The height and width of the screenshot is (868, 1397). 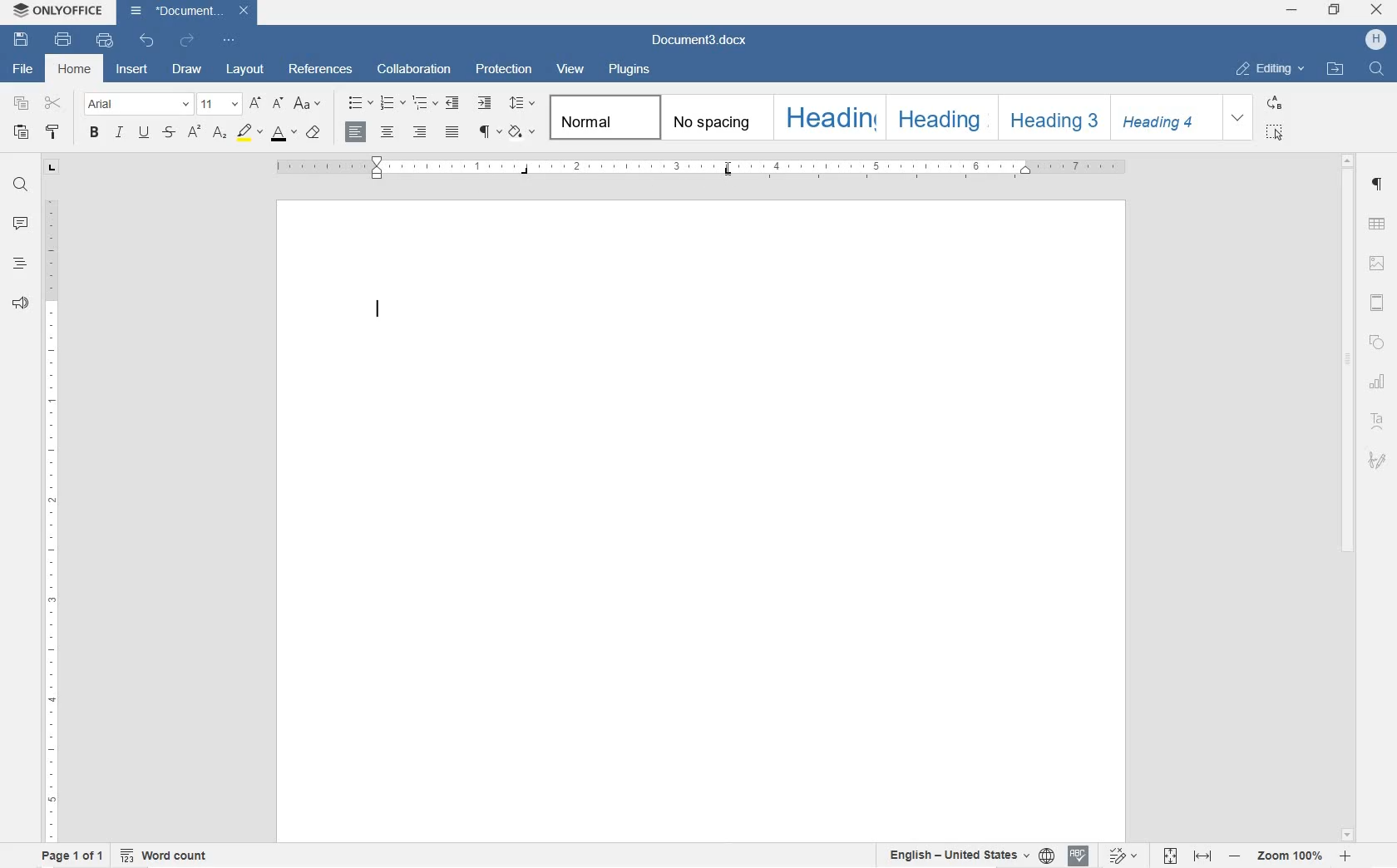 What do you see at coordinates (728, 174) in the screenshot?
I see `tab stop added` at bounding box center [728, 174].